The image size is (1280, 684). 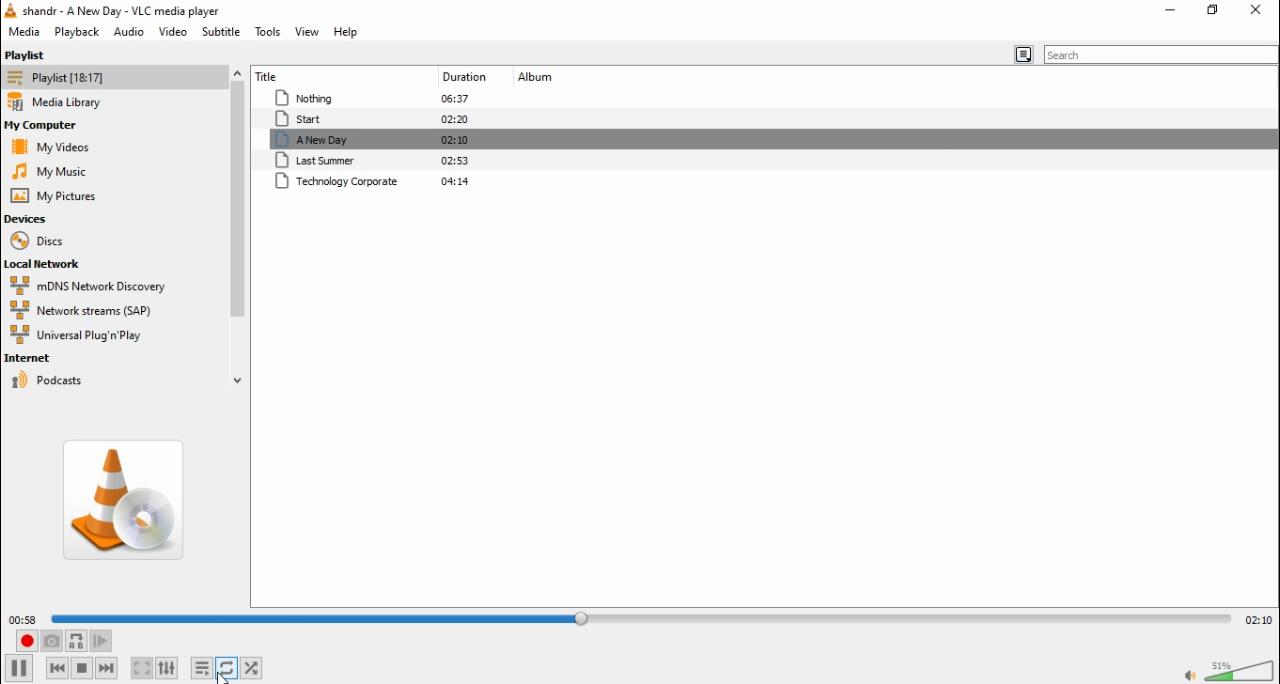 I want to click on cursor, so click(x=226, y=677).